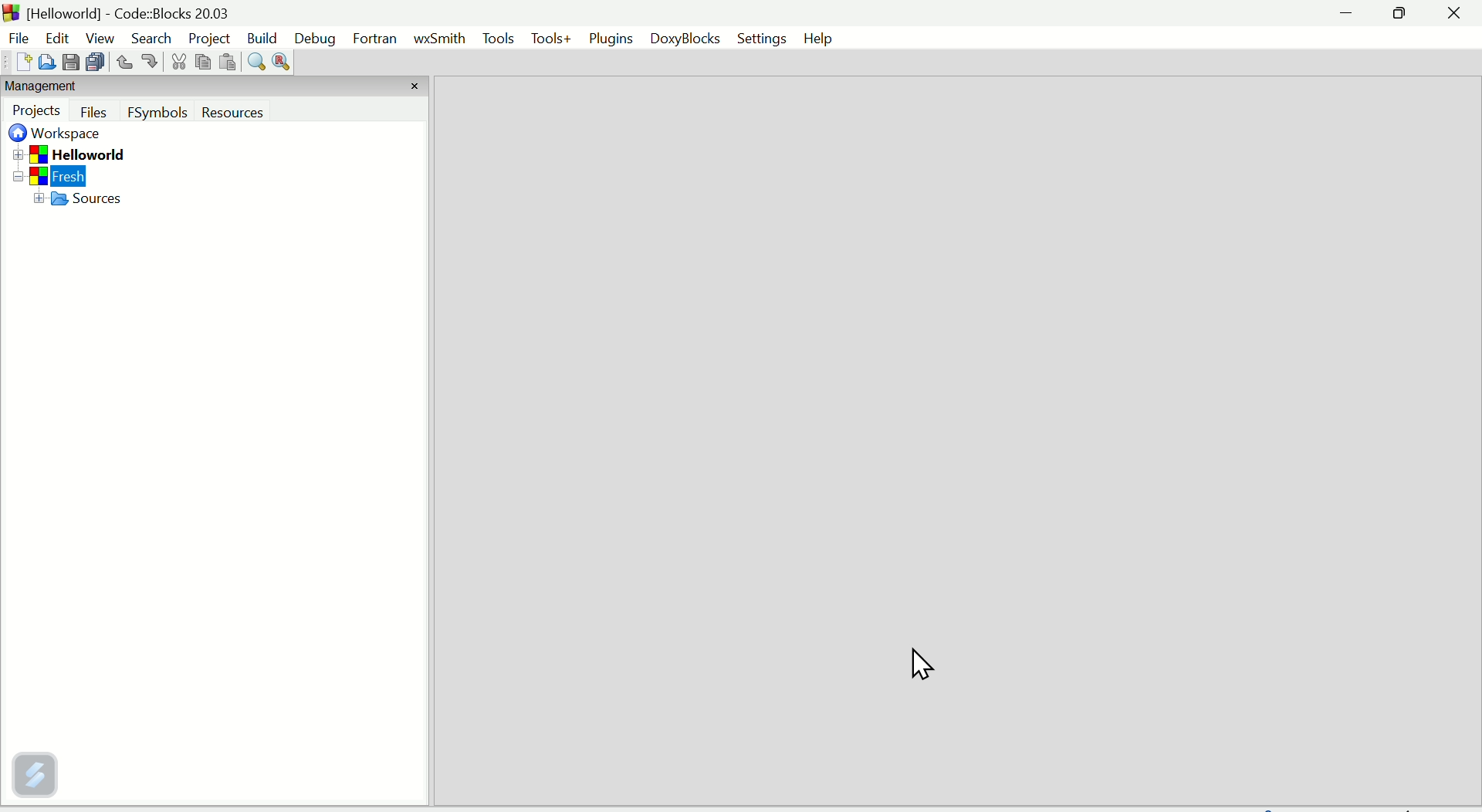 Image resolution: width=1482 pixels, height=812 pixels. Describe the element at coordinates (151, 39) in the screenshot. I see `Search` at that location.